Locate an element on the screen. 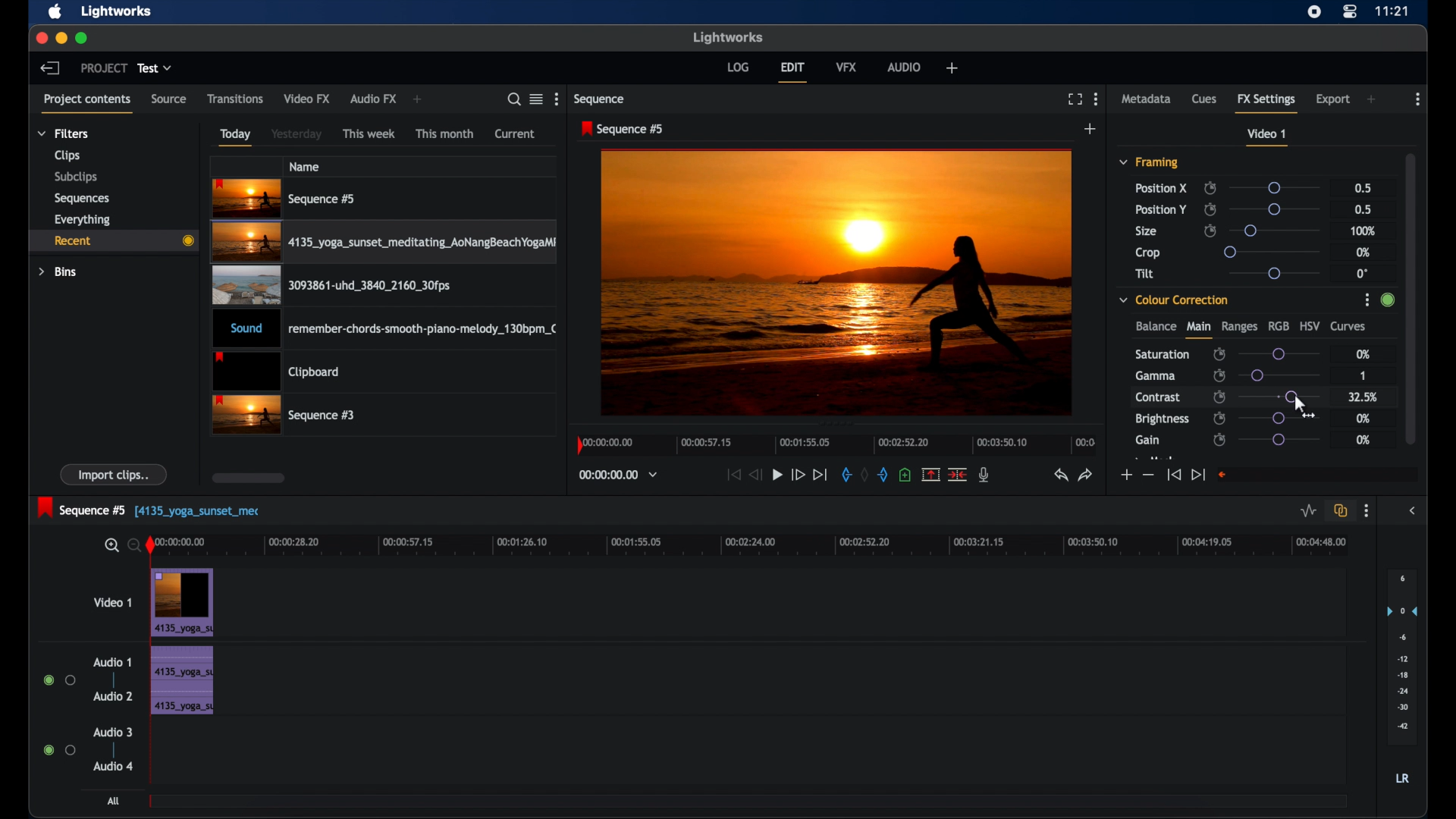 This screenshot has height=819, width=1456. sequence is located at coordinates (623, 129).